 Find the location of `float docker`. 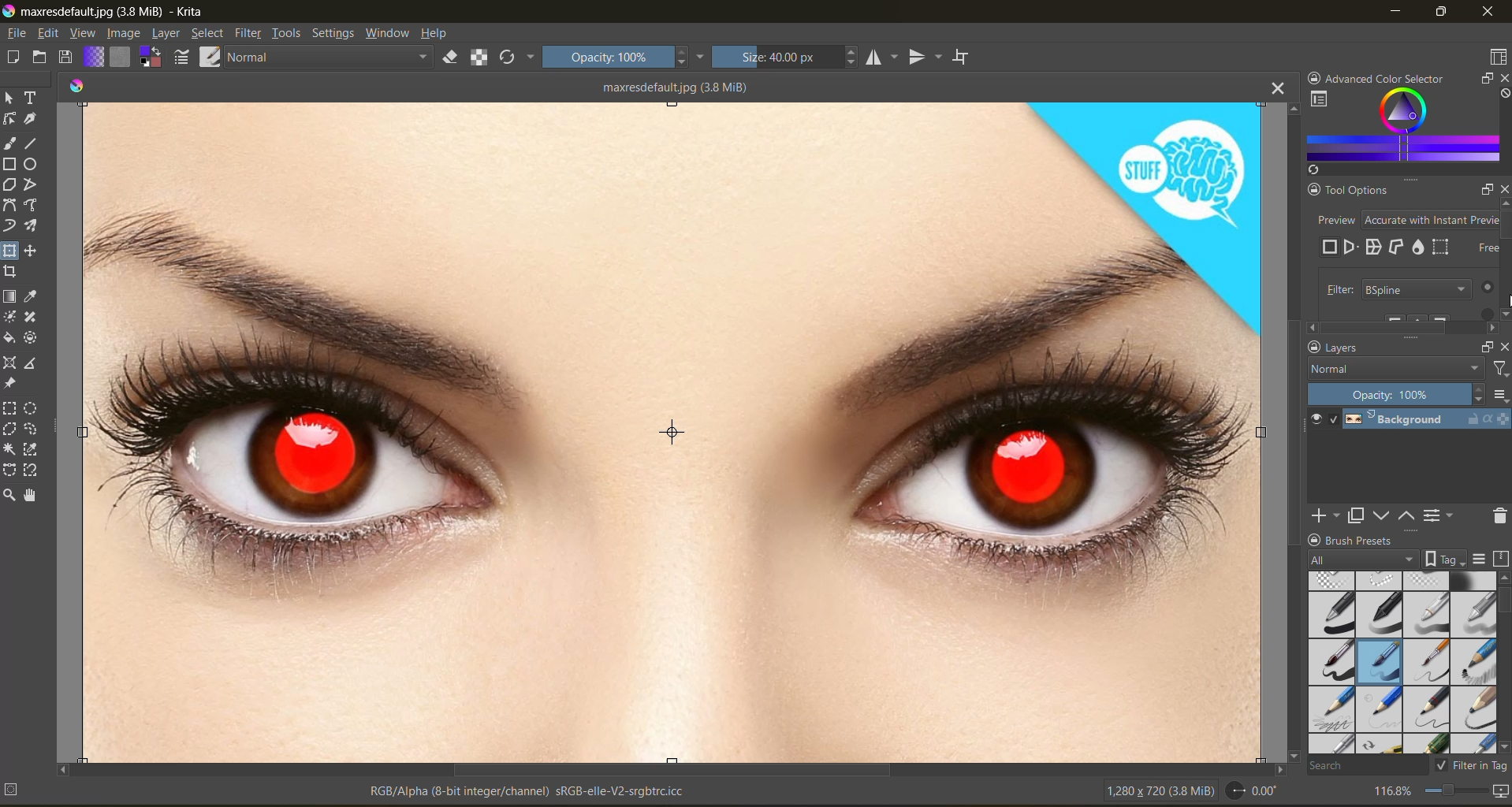

float docker is located at coordinates (1482, 80).